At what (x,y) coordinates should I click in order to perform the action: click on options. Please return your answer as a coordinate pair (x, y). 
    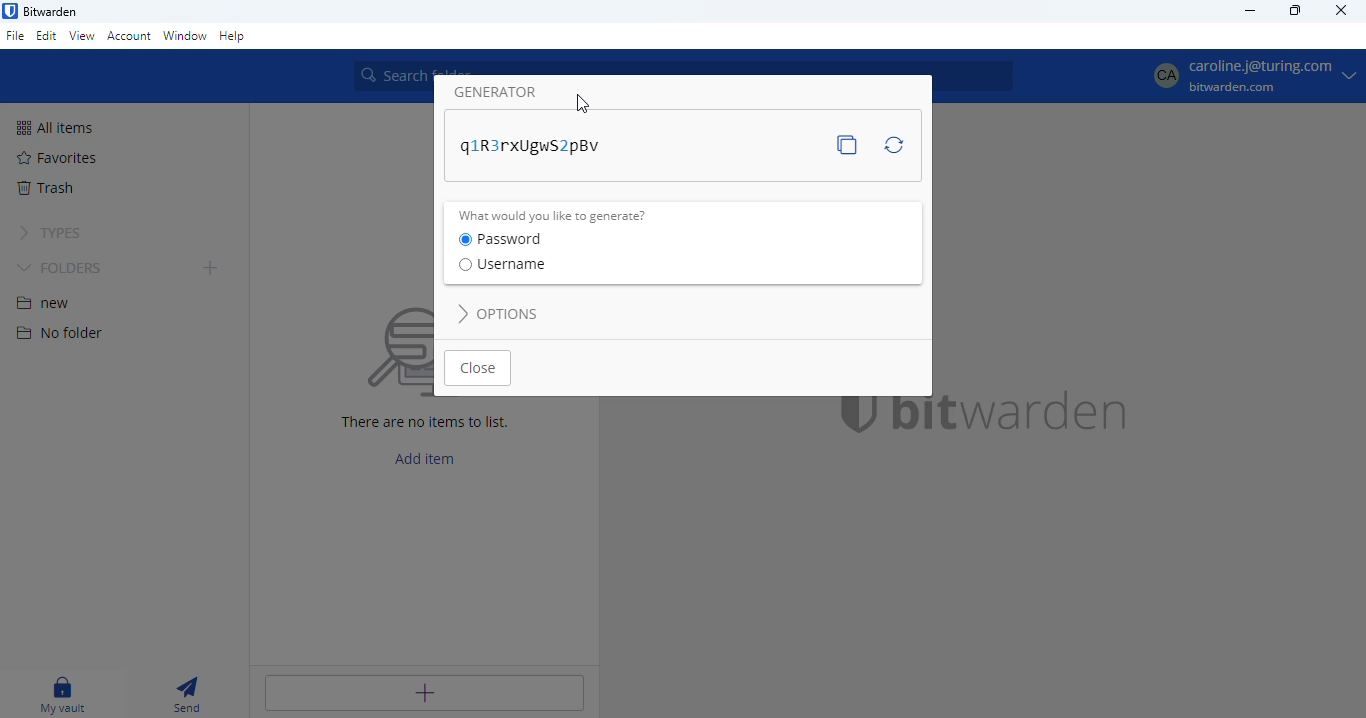
    Looking at the image, I should click on (499, 314).